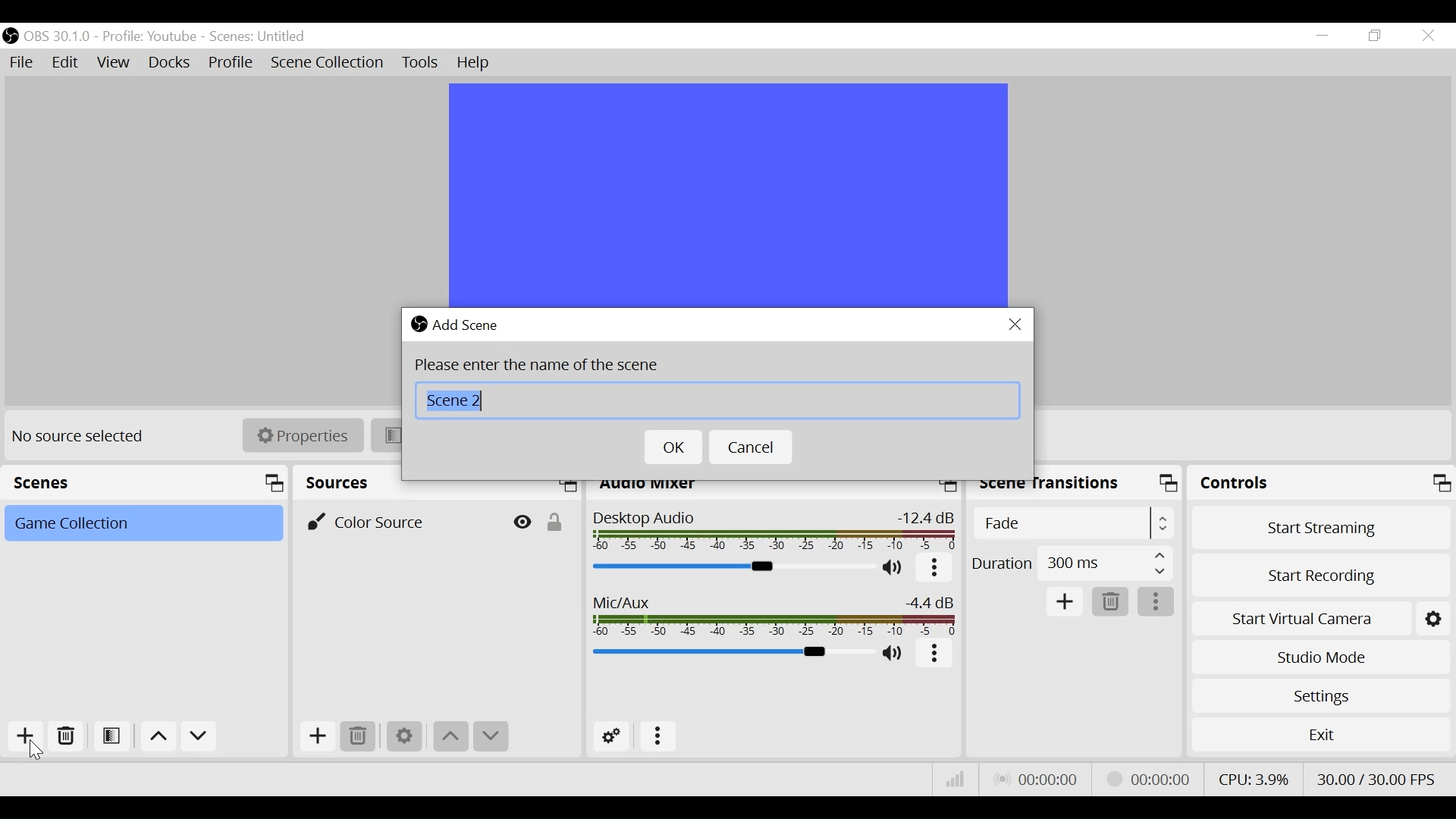 The image size is (1456, 819). I want to click on move up, so click(449, 737).